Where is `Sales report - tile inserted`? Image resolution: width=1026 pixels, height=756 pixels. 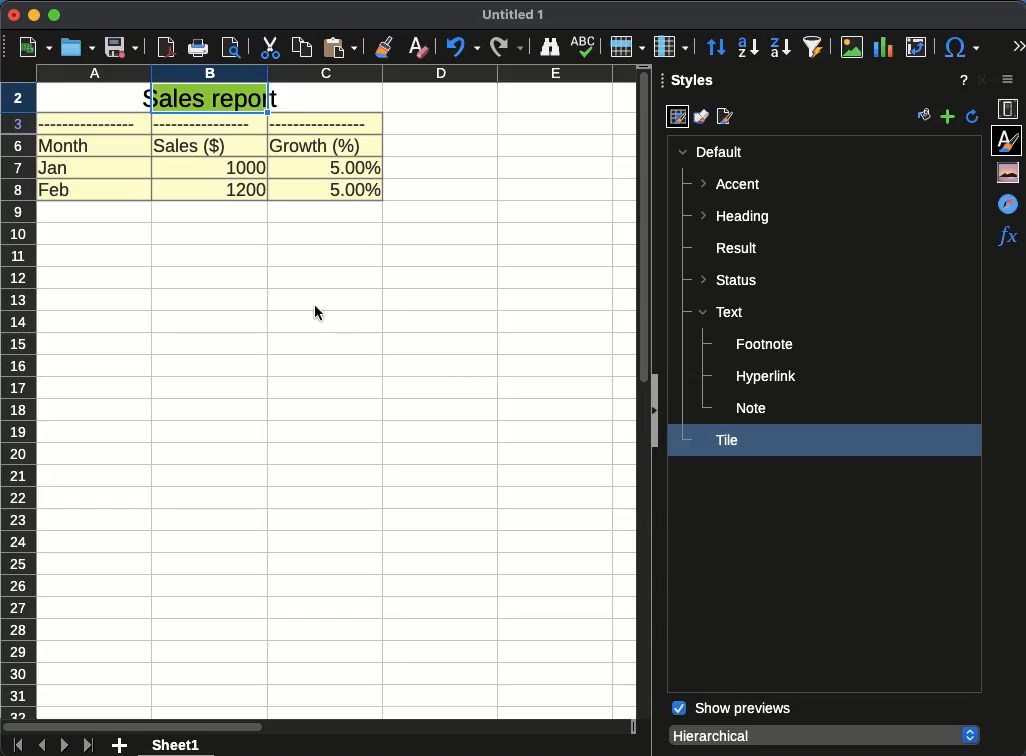 Sales report - tile inserted is located at coordinates (208, 99).